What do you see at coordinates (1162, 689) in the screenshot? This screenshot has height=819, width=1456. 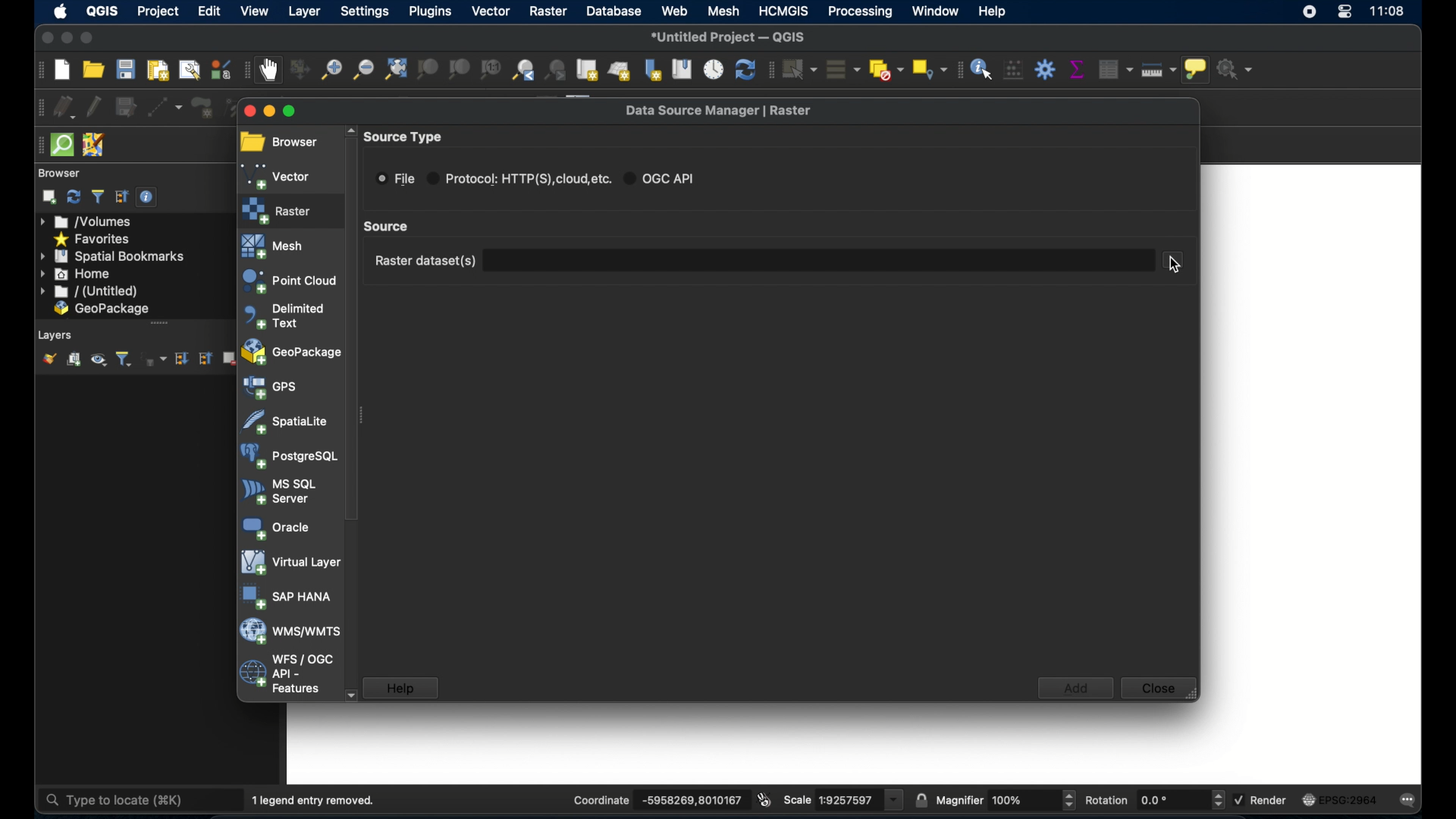 I see `close` at bounding box center [1162, 689].